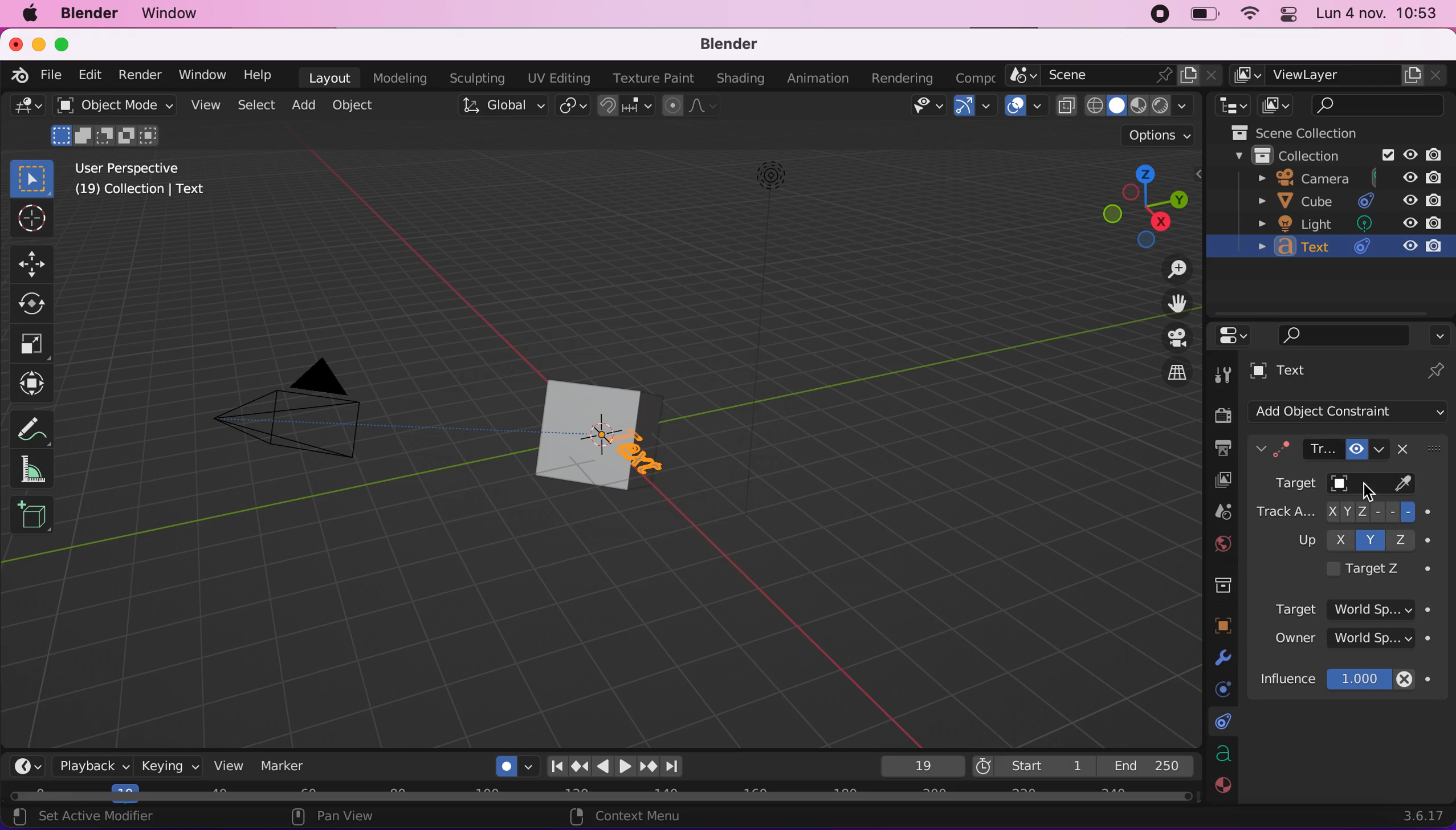 This screenshot has width=1456, height=830. I want to click on shading, so click(740, 79).